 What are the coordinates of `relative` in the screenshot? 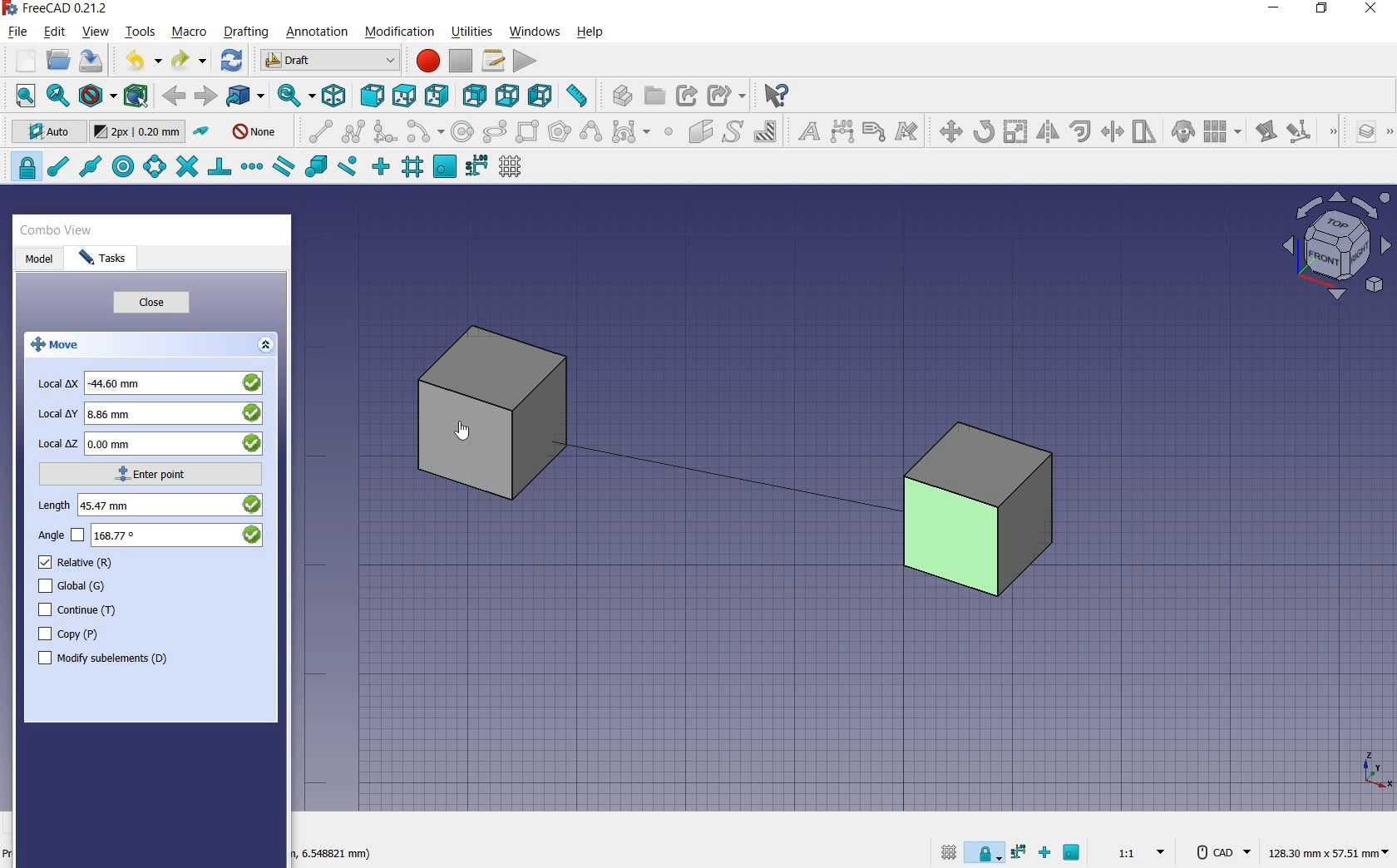 It's located at (77, 562).